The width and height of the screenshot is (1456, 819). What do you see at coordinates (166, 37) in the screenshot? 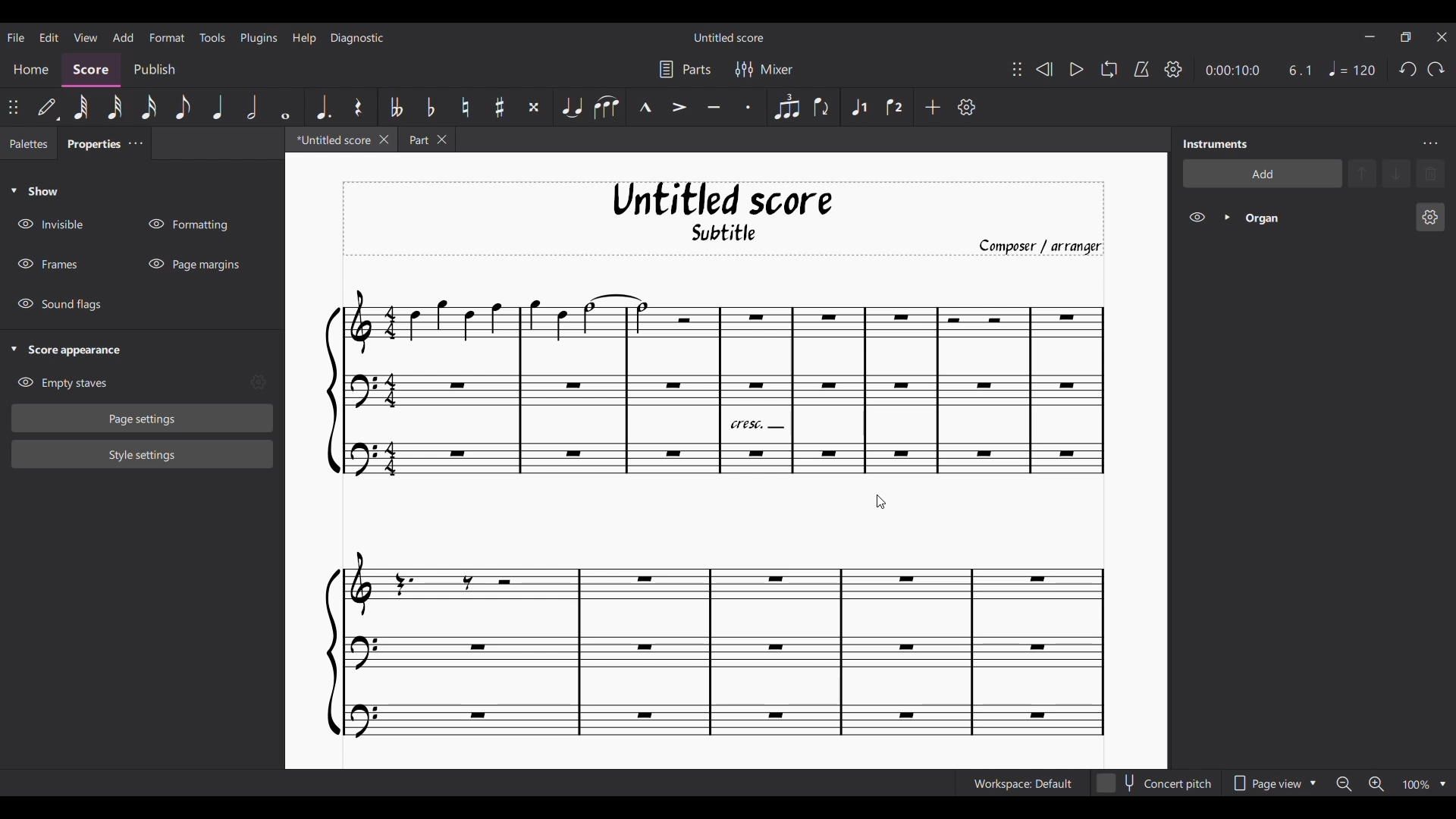
I see `Format menu` at bounding box center [166, 37].